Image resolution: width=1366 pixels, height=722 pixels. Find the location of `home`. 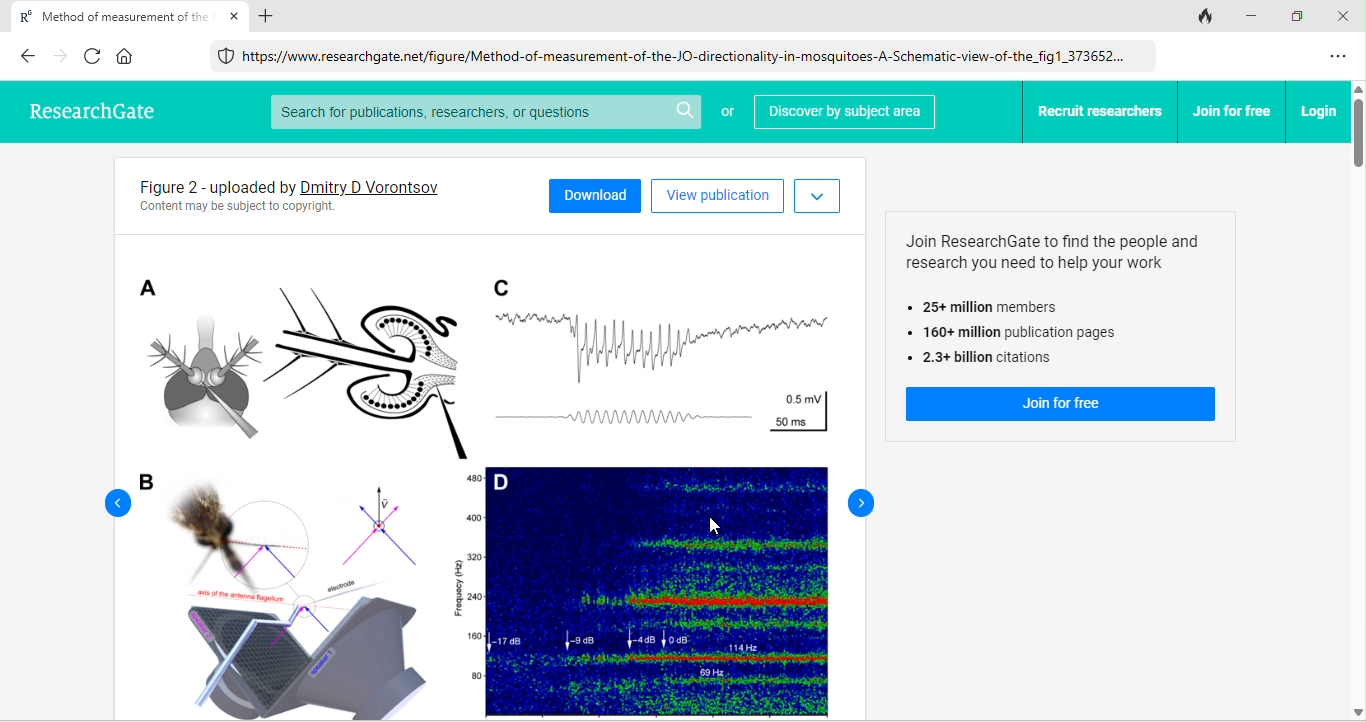

home is located at coordinates (126, 56).